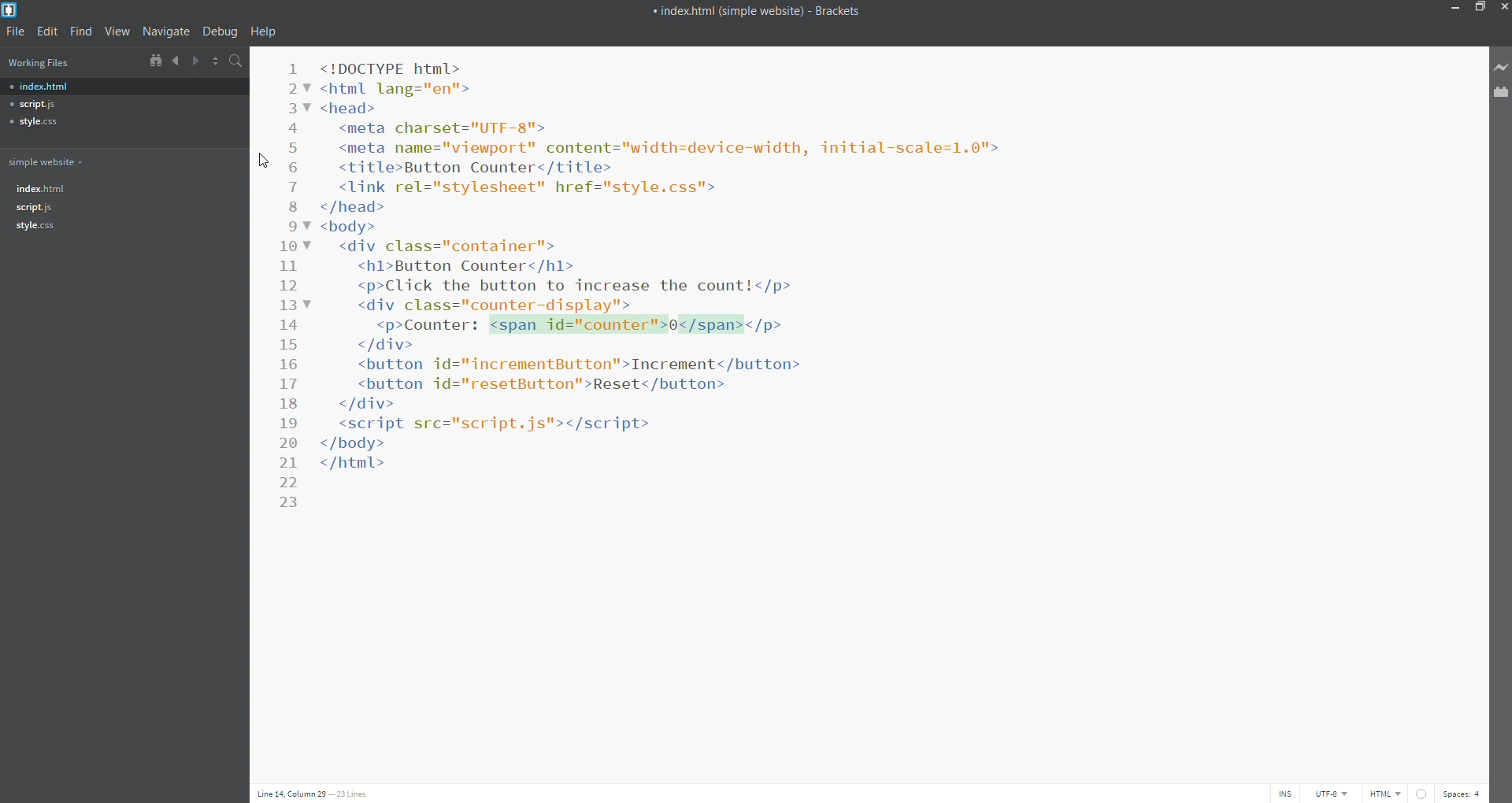 This screenshot has height=803, width=1512. I want to click on maximize/restore, so click(1477, 8).